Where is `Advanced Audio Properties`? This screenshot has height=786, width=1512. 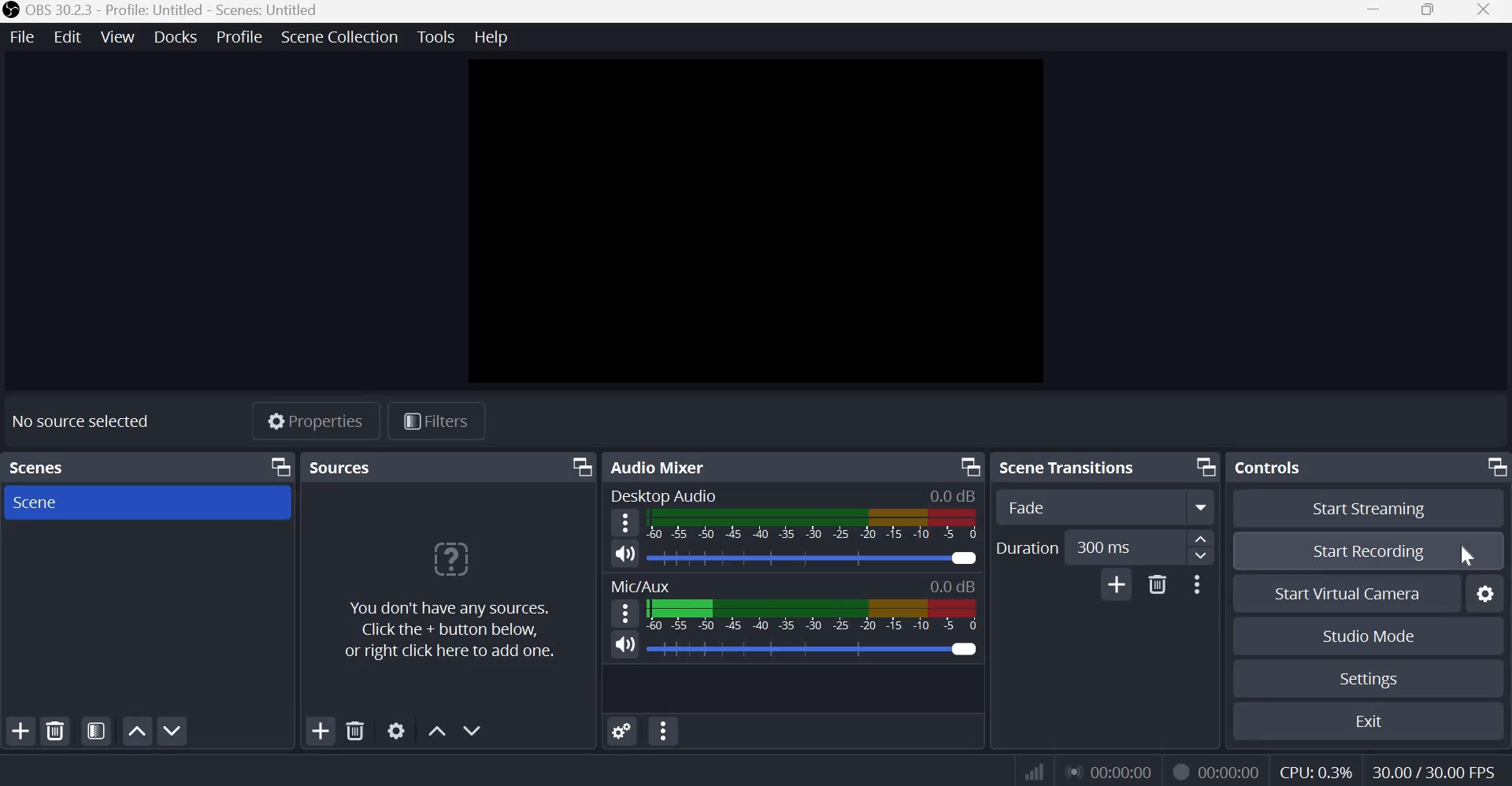 Advanced Audio Properties is located at coordinates (622, 730).